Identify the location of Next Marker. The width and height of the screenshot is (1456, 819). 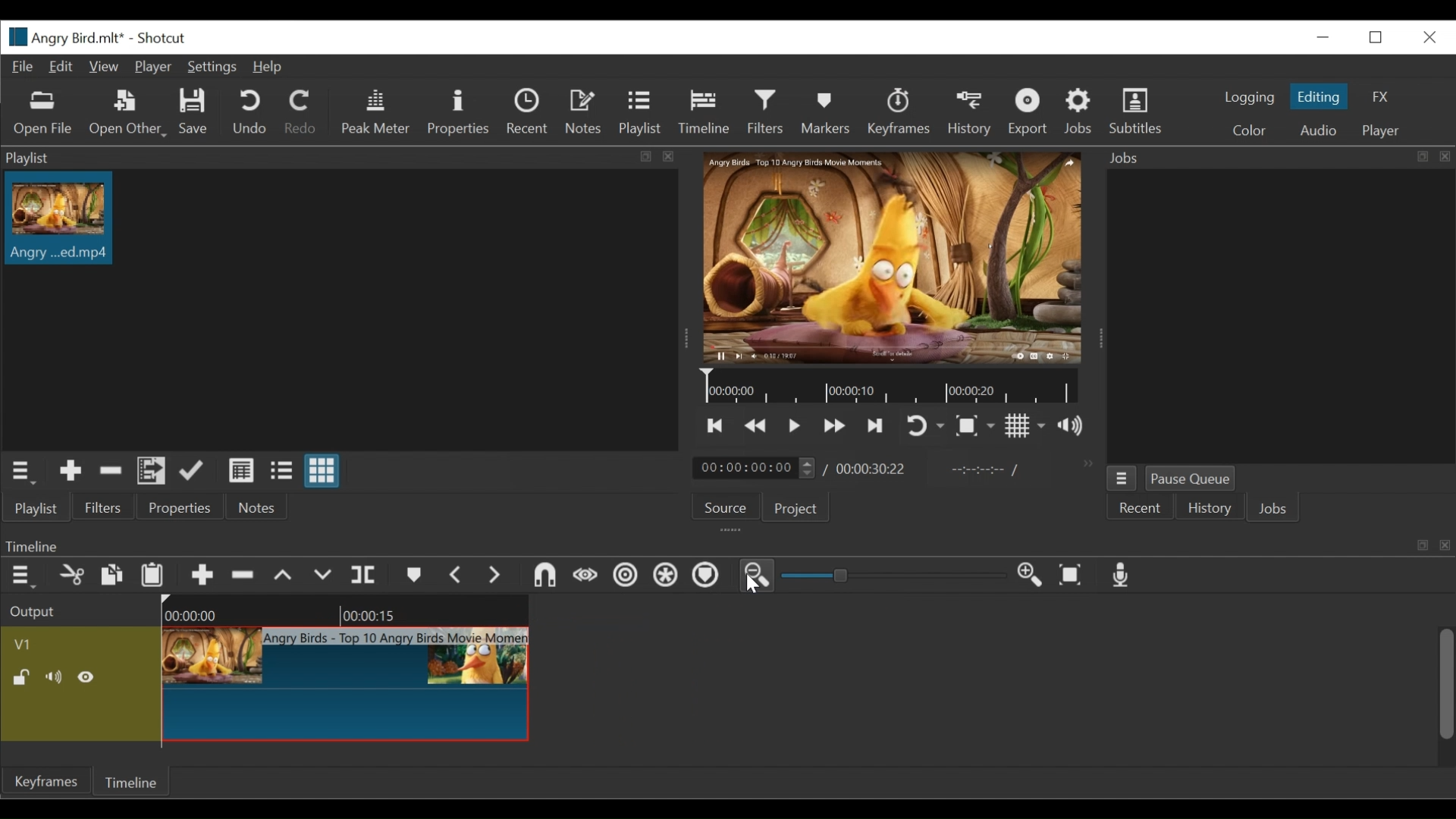
(497, 576).